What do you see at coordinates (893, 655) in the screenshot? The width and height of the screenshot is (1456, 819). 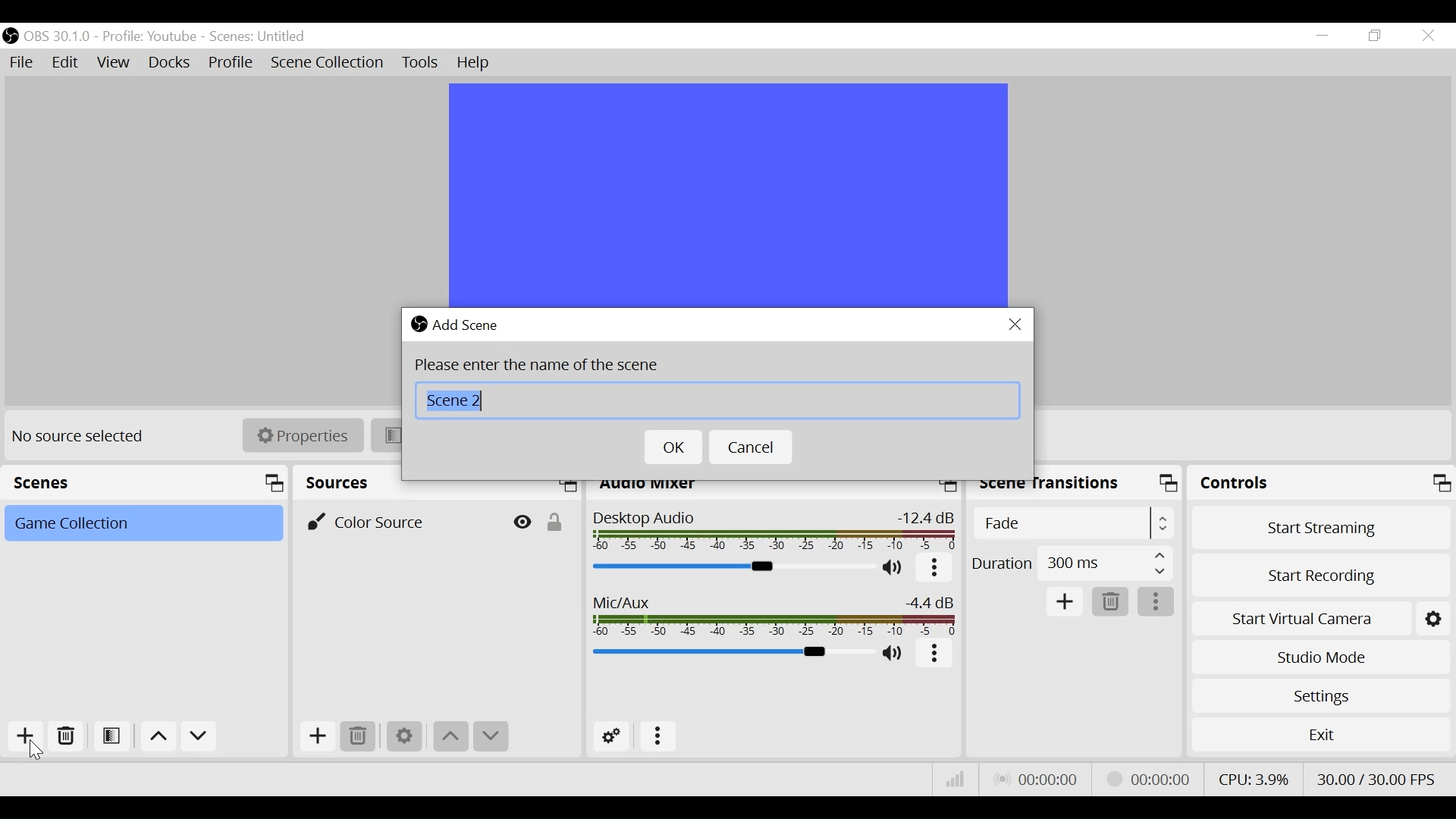 I see `(un)mute` at bounding box center [893, 655].